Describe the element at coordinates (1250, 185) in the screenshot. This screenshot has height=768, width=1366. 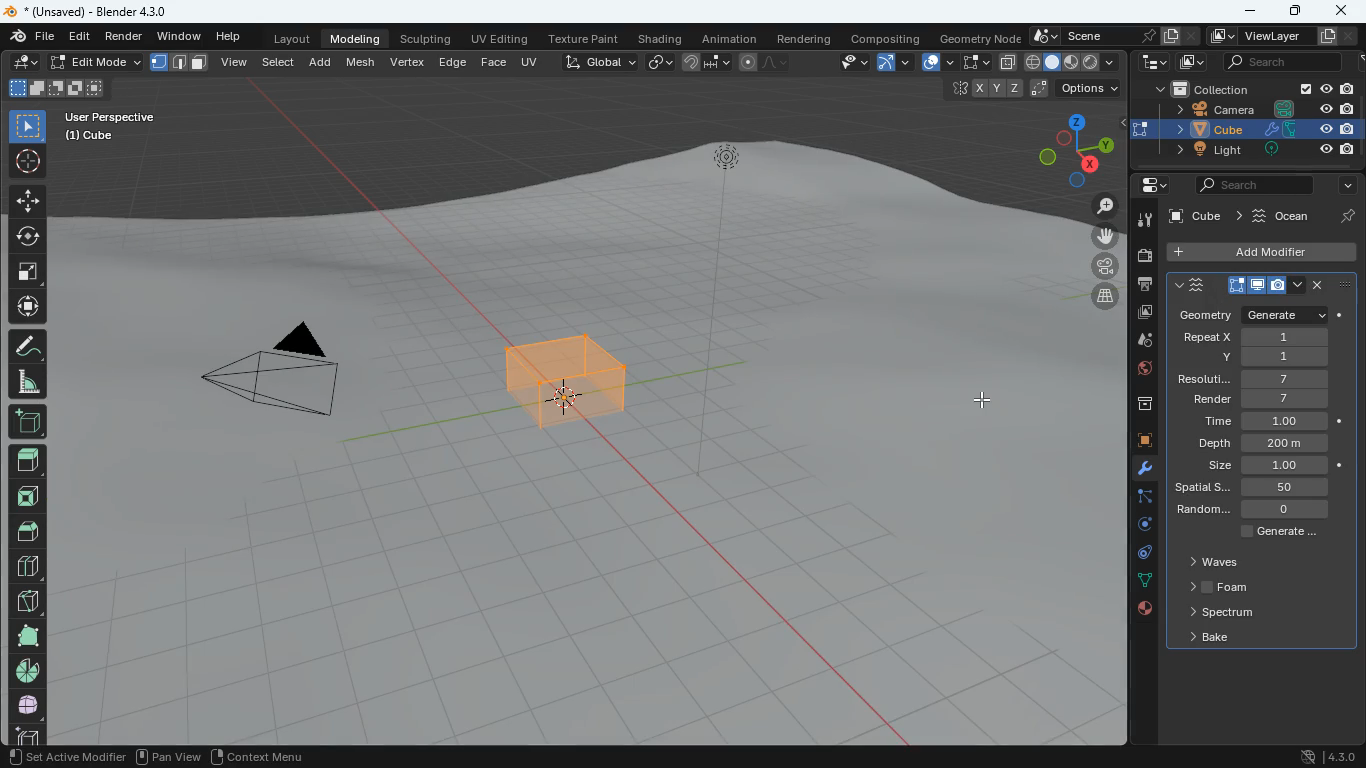
I see `search` at that location.